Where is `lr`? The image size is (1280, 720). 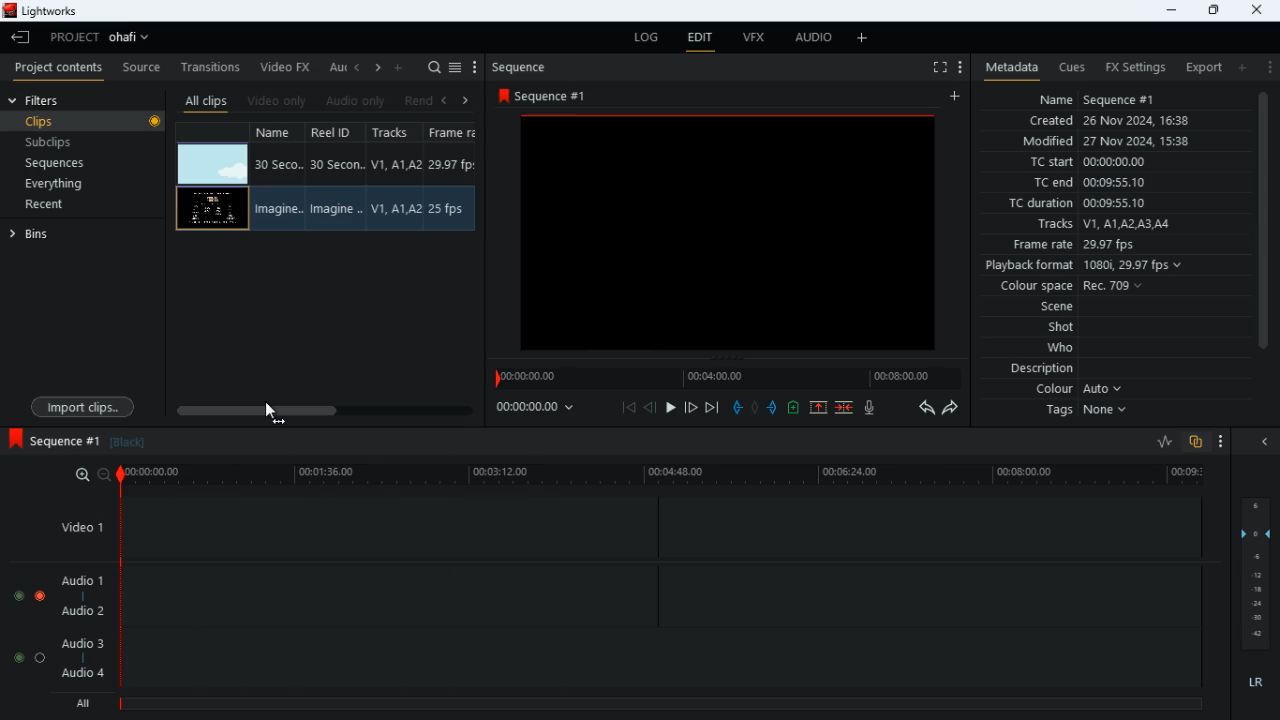 lr is located at coordinates (1256, 683).